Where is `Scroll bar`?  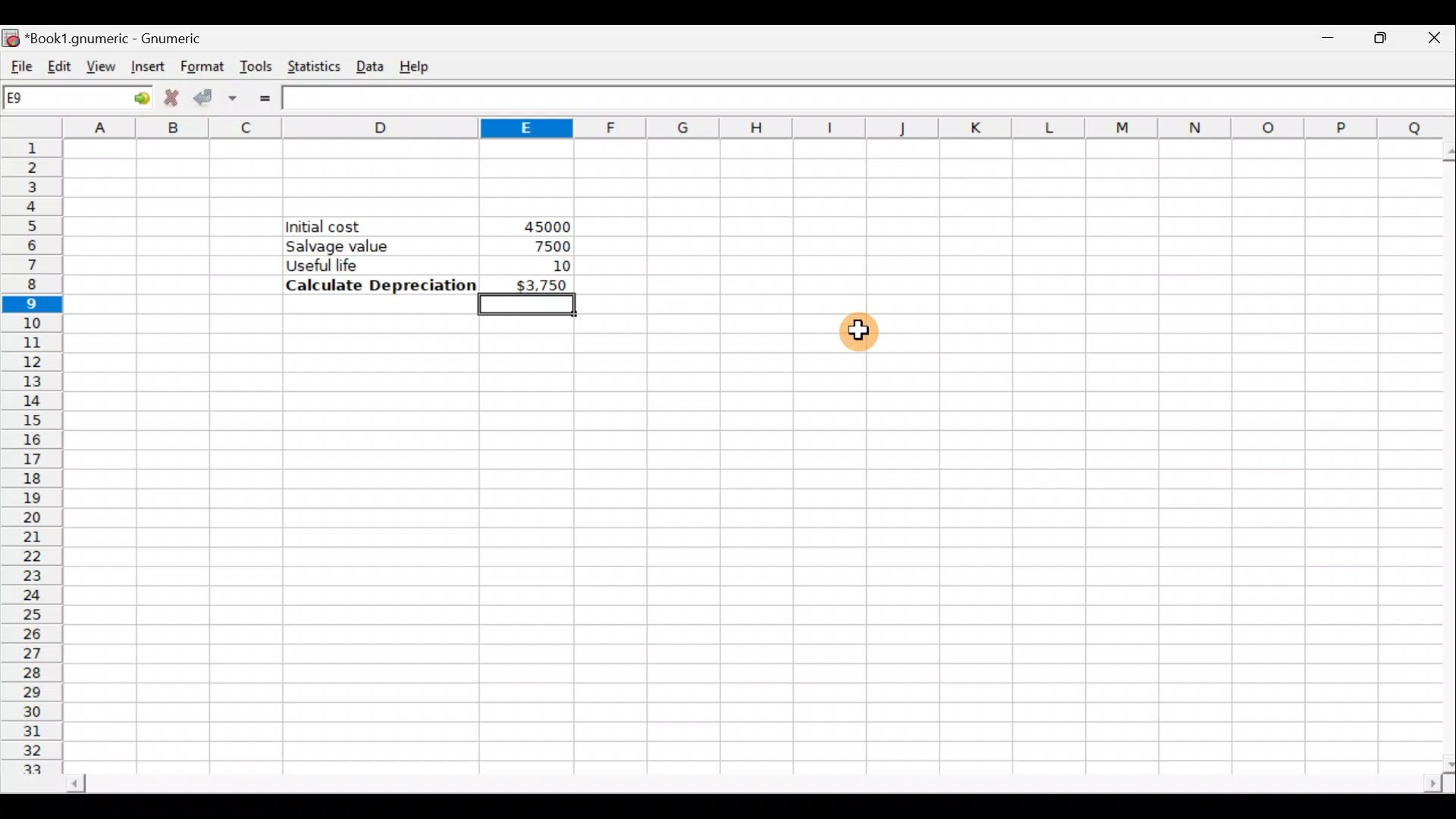 Scroll bar is located at coordinates (1442, 452).